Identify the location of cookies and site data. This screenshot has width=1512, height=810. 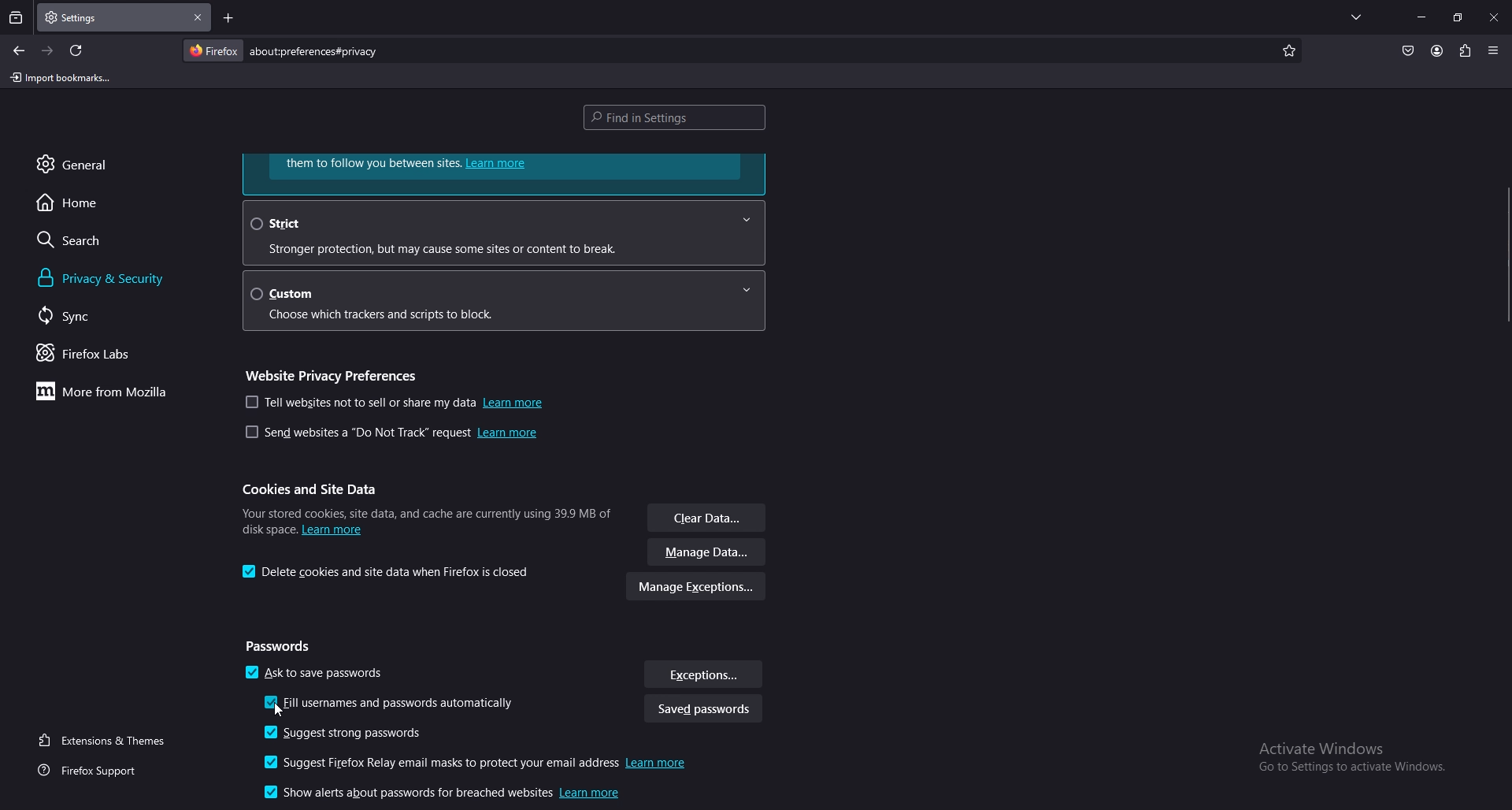
(316, 489).